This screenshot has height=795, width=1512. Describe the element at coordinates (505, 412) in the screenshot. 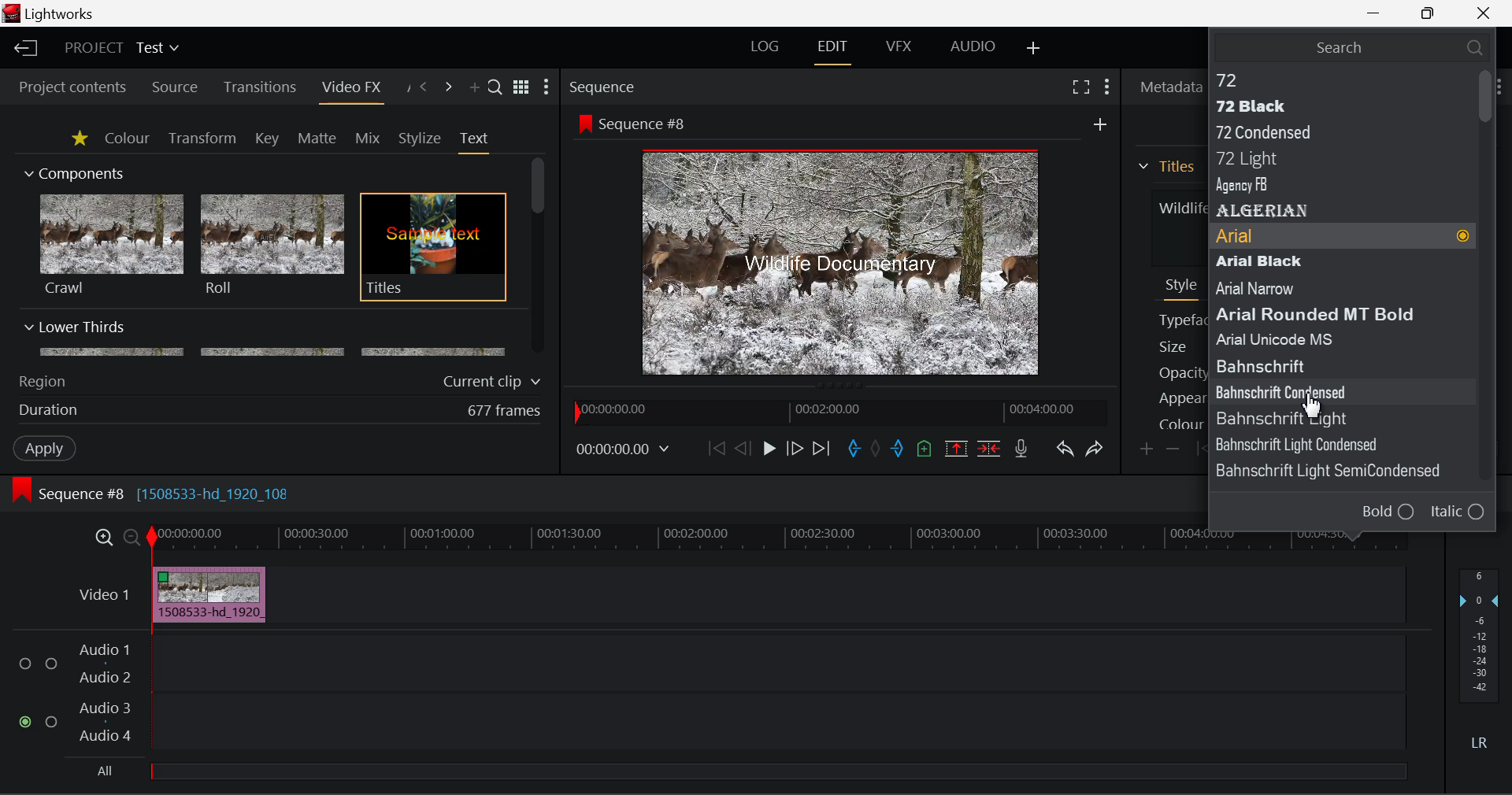

I see `677 frames` at that location.